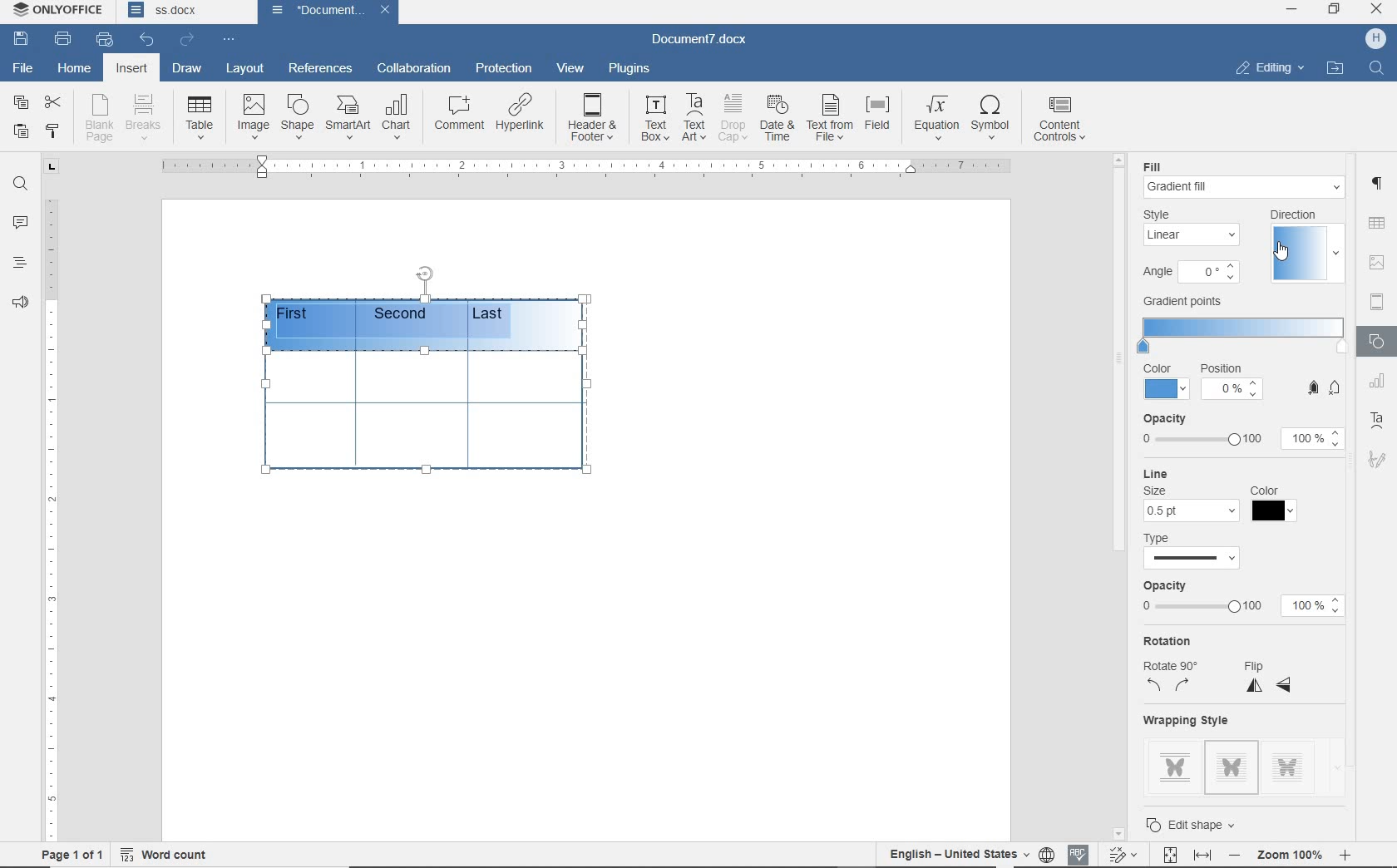 The height and width of the screenshot is (868, 1397). I want to click on spell checking, so click(1079, 853).